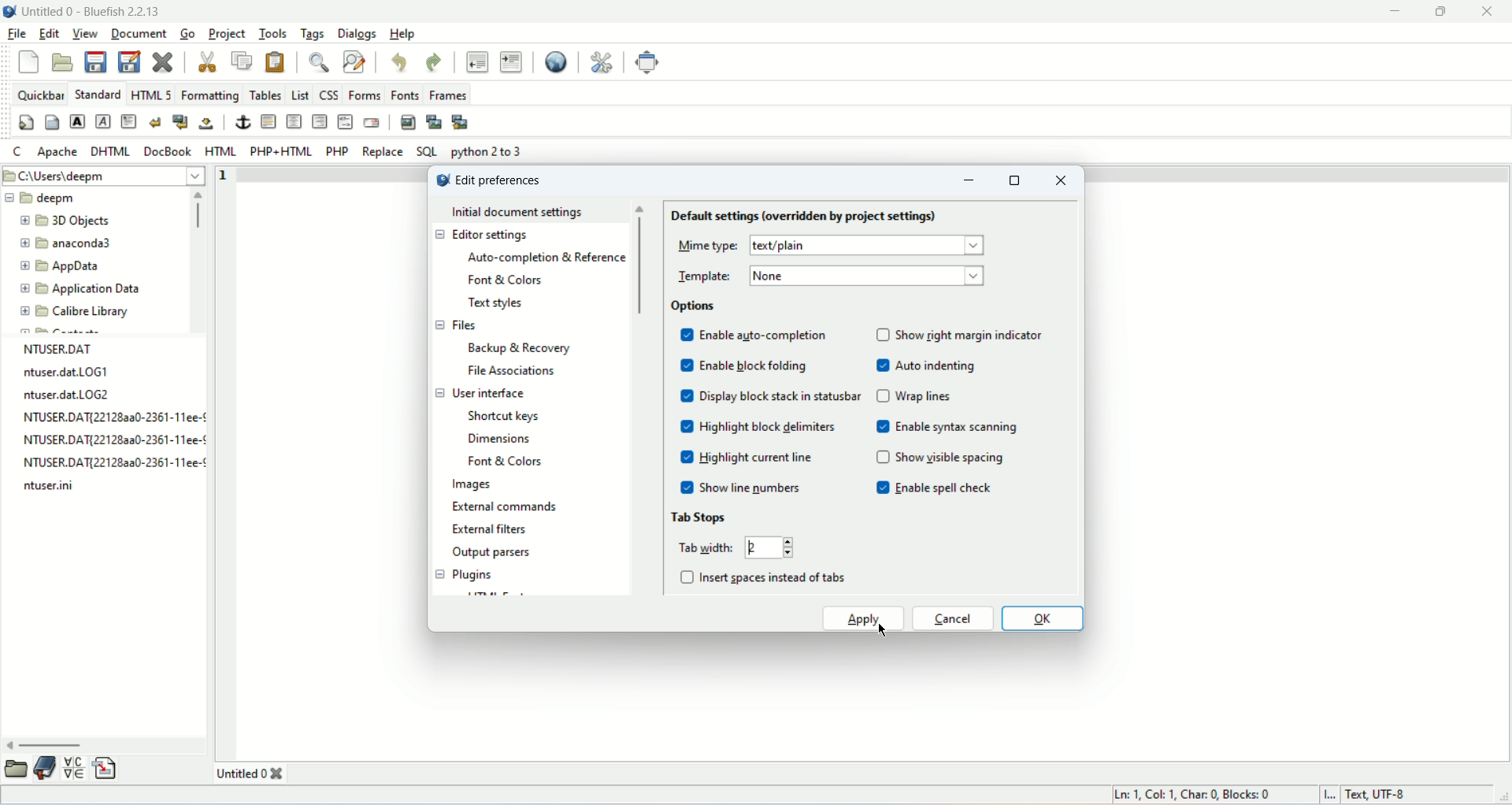 The image size is (1512, 805). What do you see at coordinates (781, 395) in the screenshot?
I see `display block study in statusbar` at bounding box center [781, 395].